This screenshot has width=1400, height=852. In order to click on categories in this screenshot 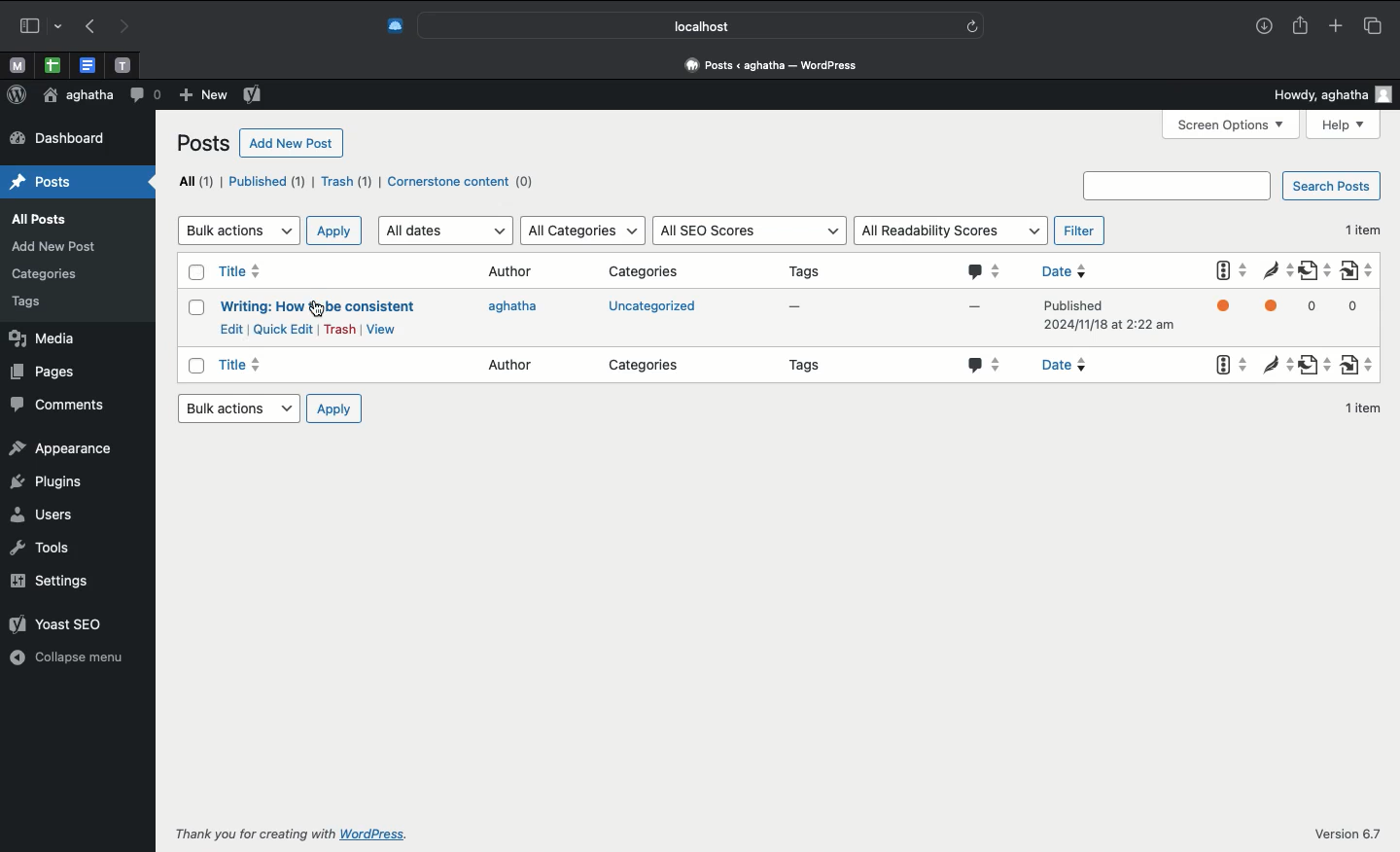, I will do `click(649, 363)`.